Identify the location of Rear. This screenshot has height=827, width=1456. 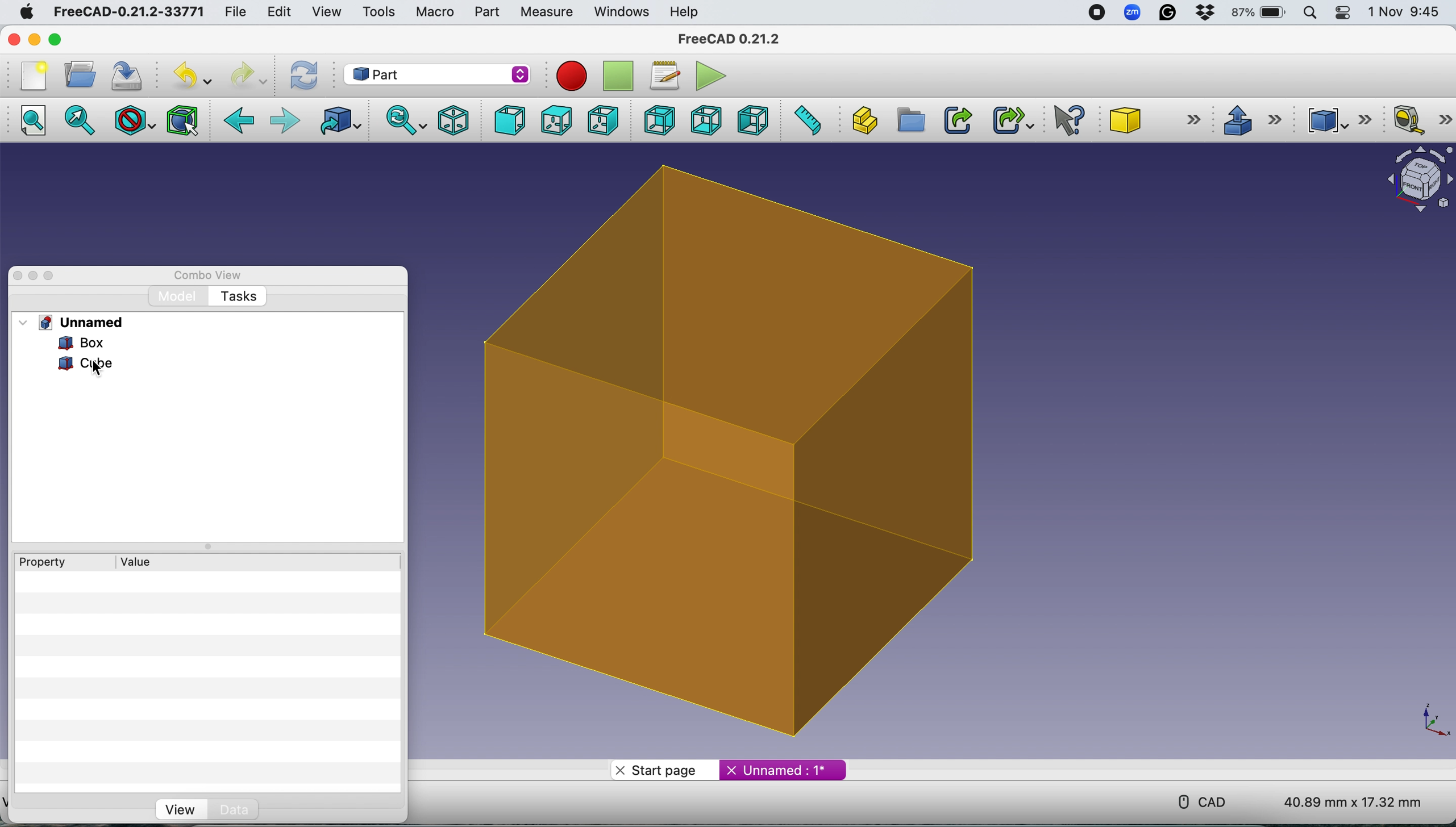
(656, 120).